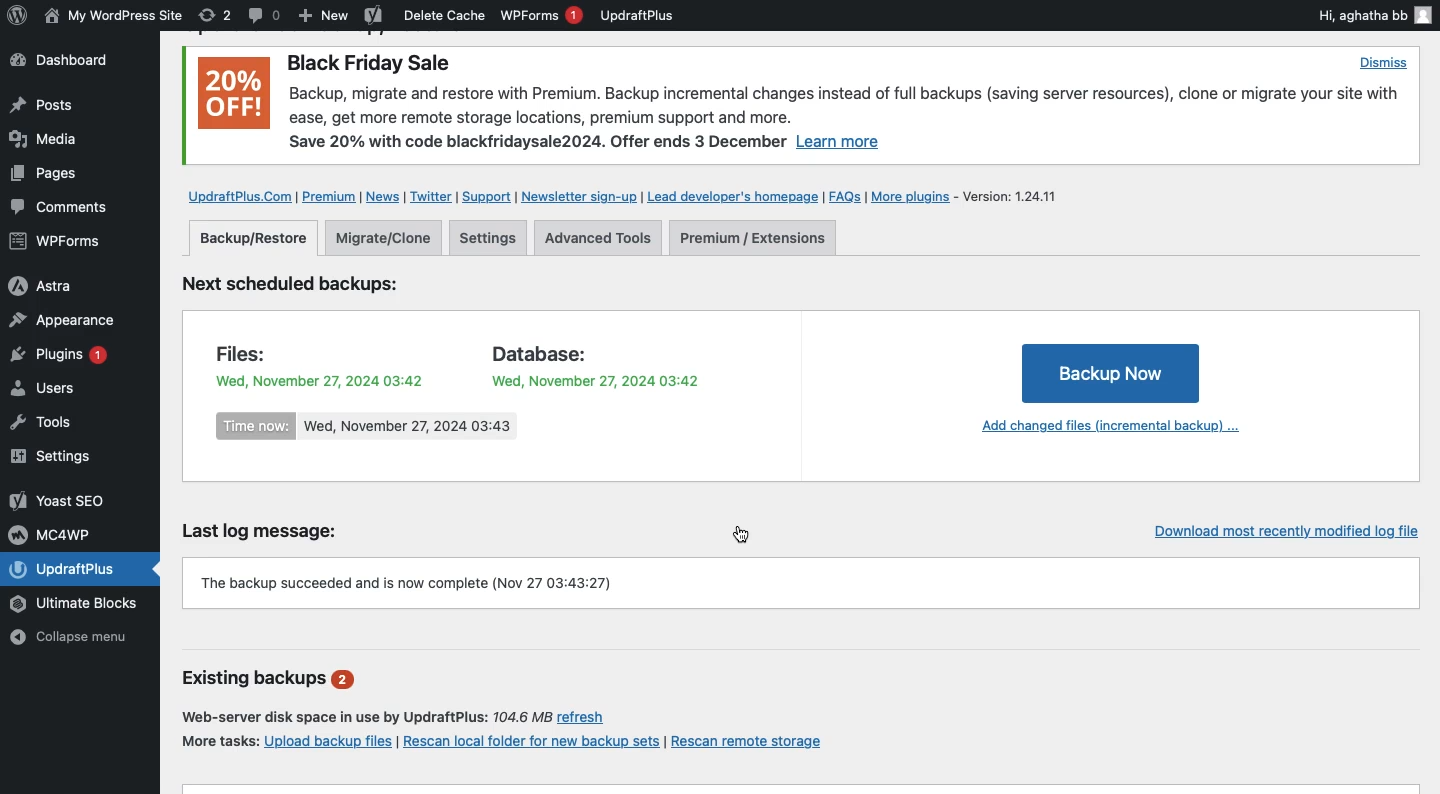  Describe the element at coordinates (580, 199) in the screenshot. I see `Newsletter sign up` at that location.